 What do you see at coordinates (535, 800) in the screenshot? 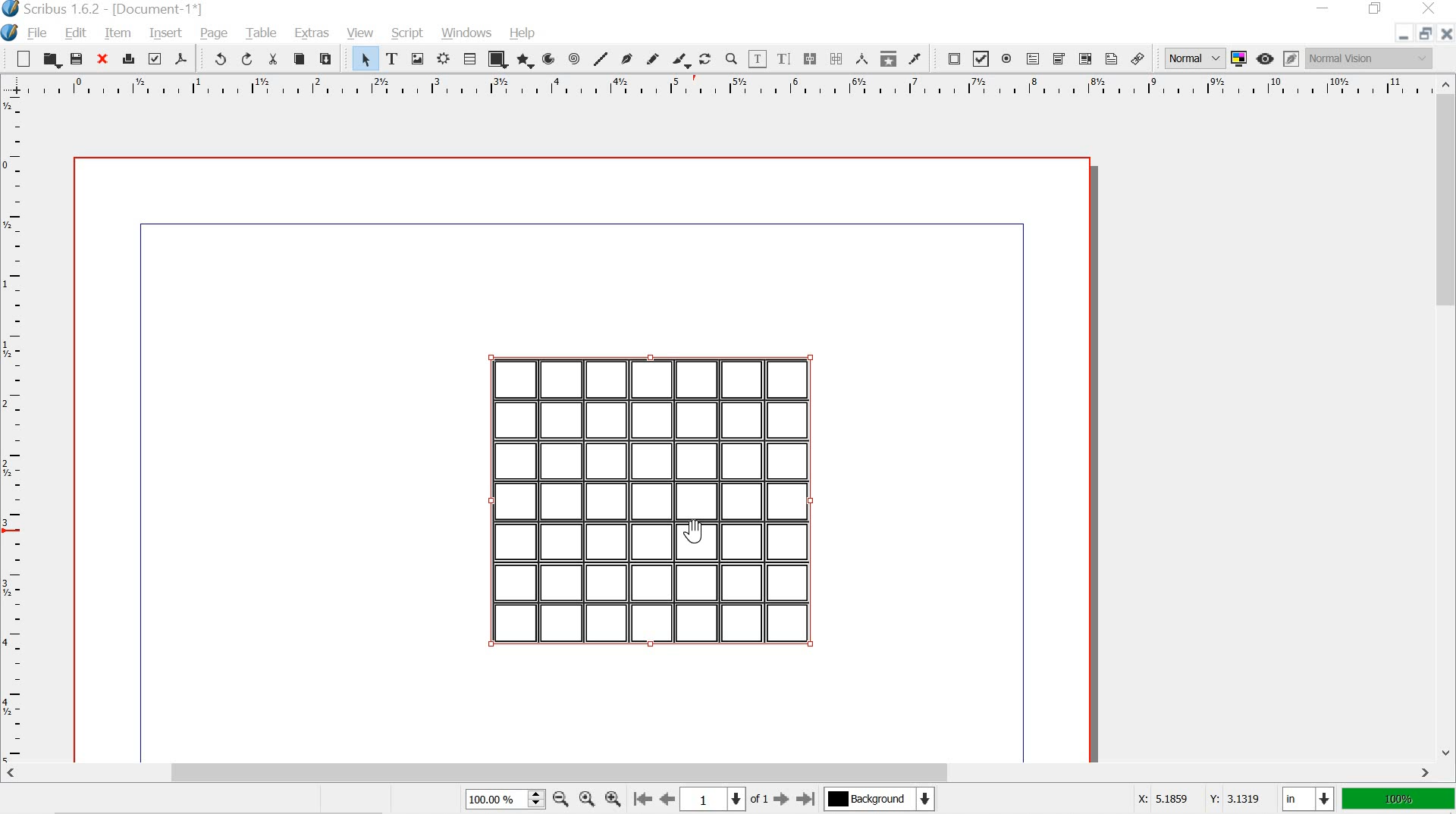
I see `zoom in, zoom out` at bounding box center [535, 800].